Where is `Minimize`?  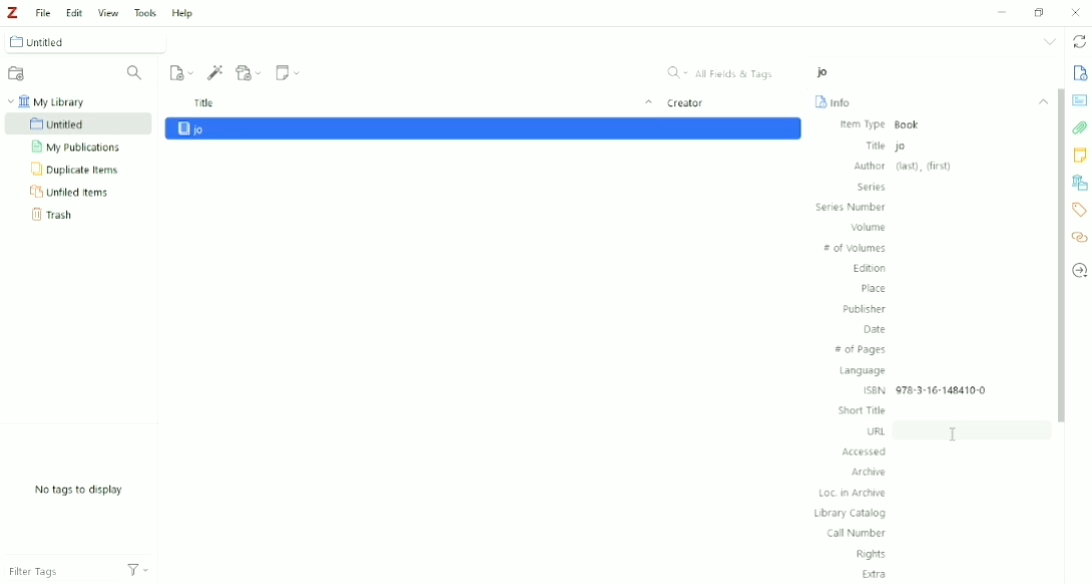
Minimize is located at coordinates (1001, 12).